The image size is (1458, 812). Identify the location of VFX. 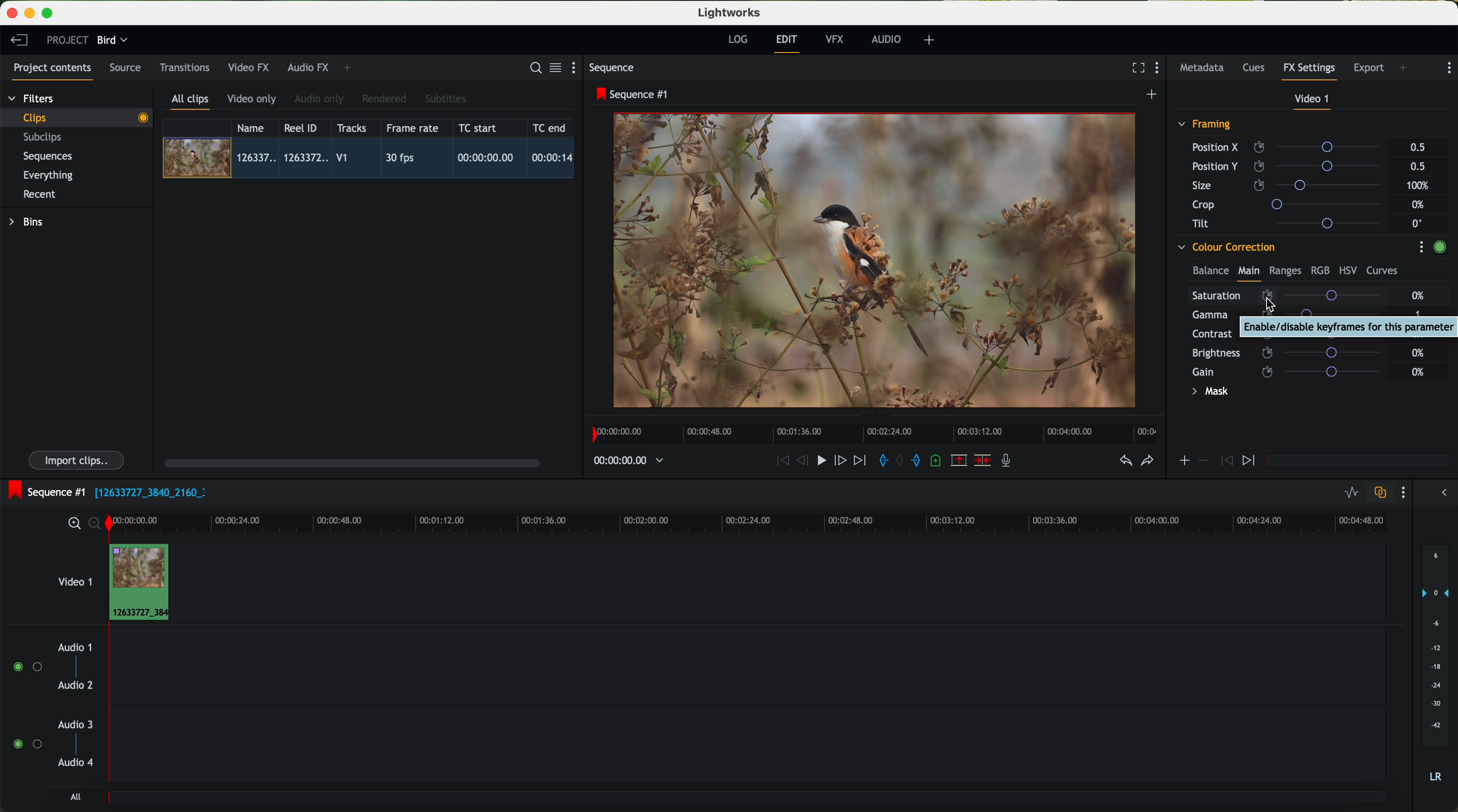
(837, 40).